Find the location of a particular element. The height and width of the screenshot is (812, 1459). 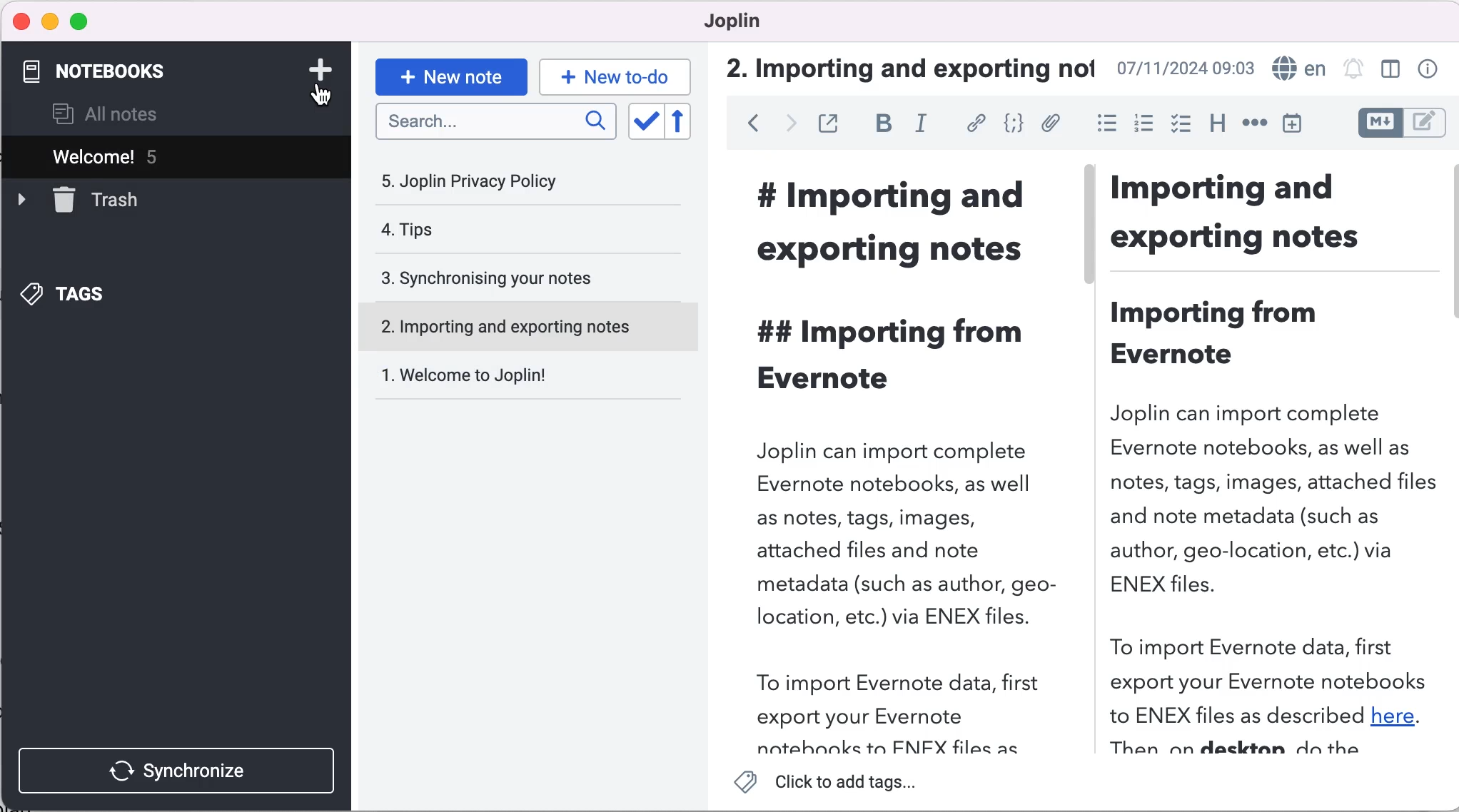

cursor is located at coordinates (315, 96).